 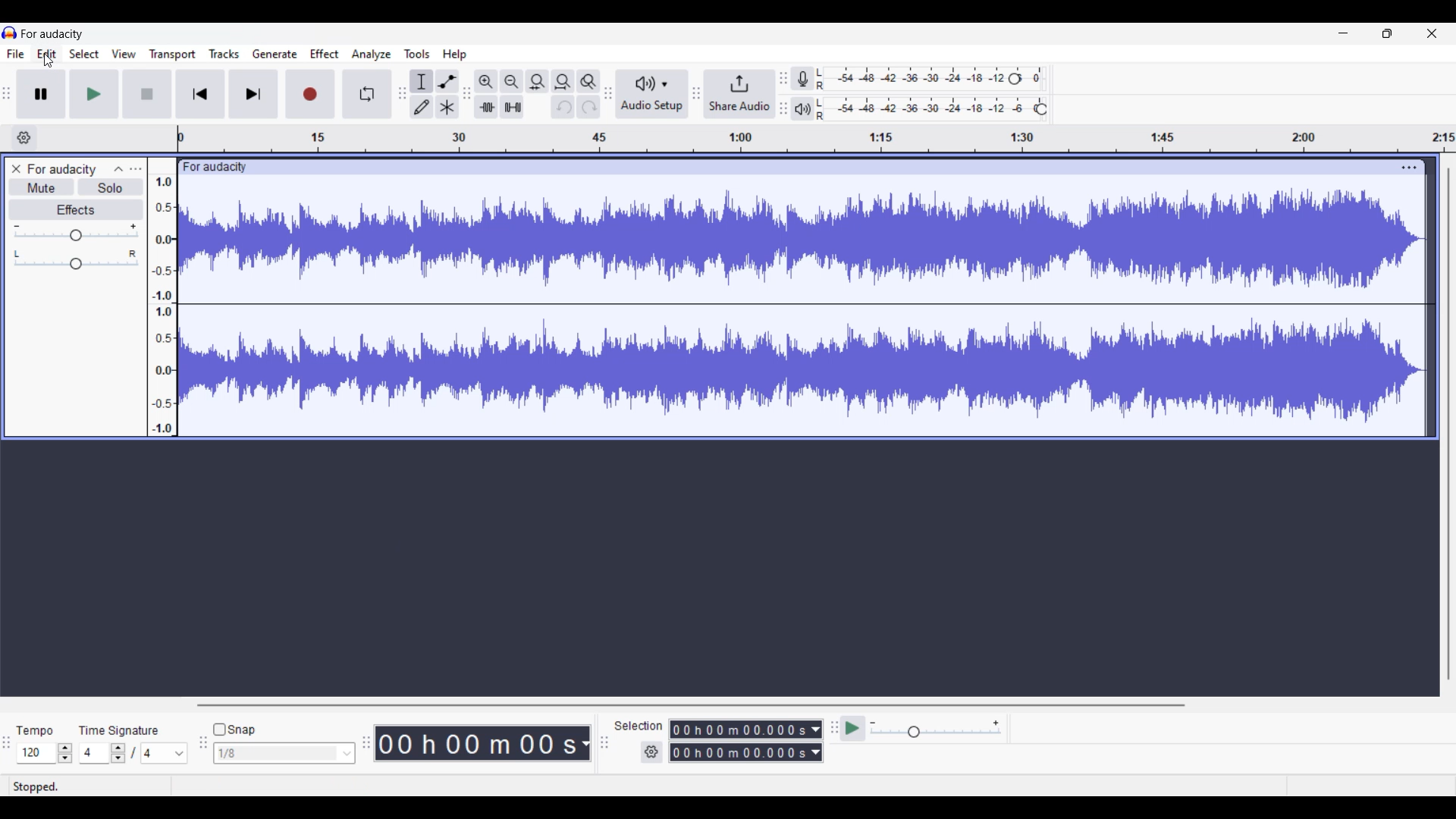 I want to click on Audio setup, so click(x=653, y=94).